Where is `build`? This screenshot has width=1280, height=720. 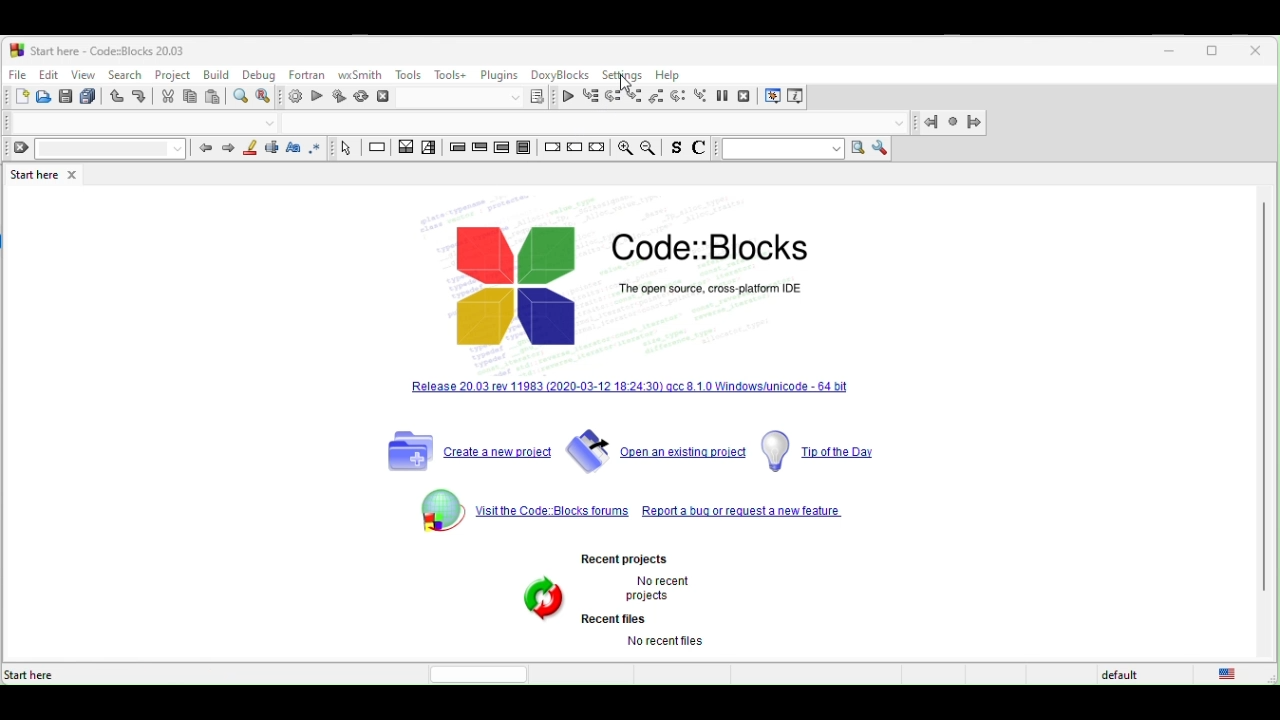 build is located at coordinates (295, 97).